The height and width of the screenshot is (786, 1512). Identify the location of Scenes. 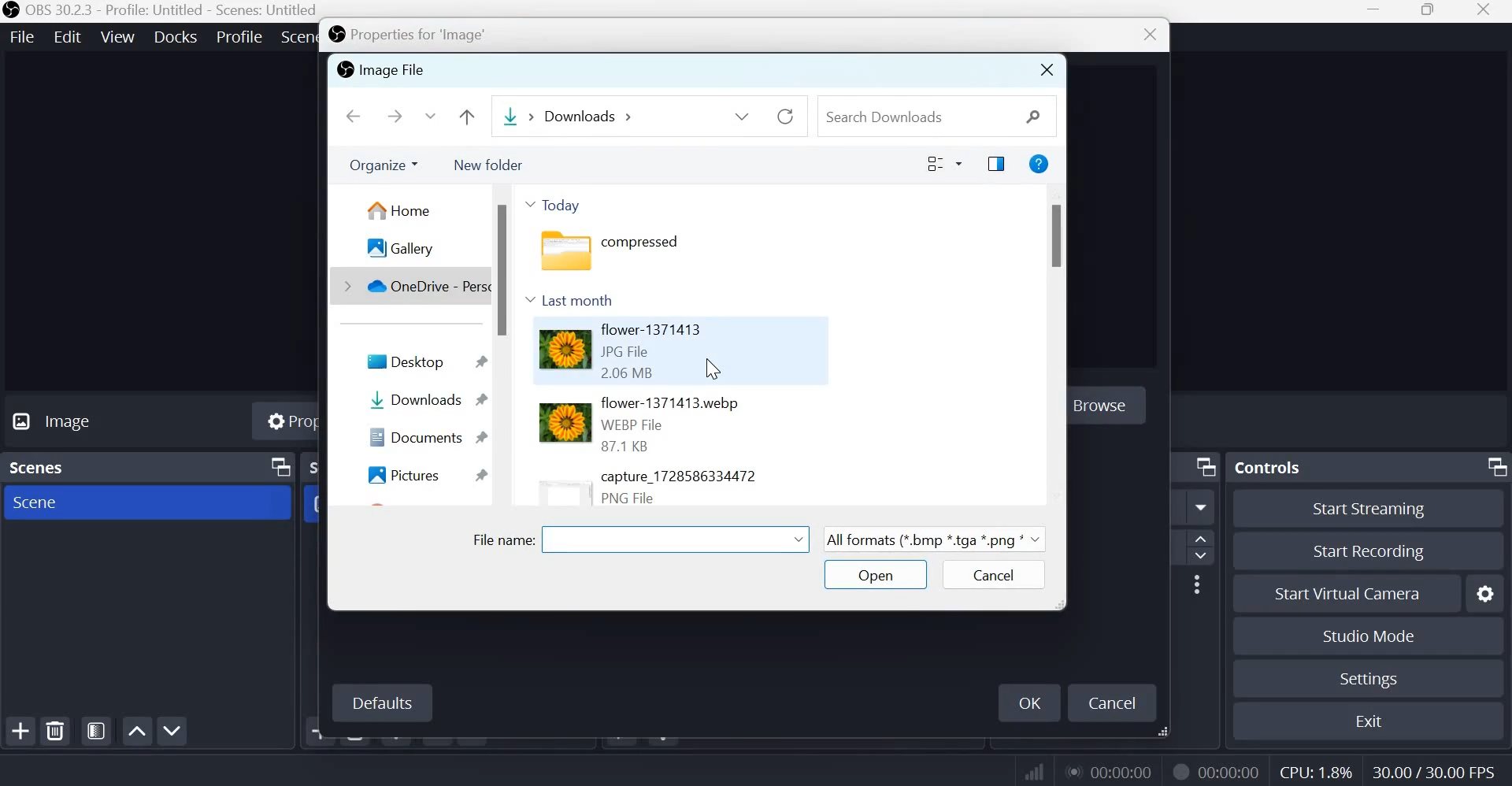
(43, 469).